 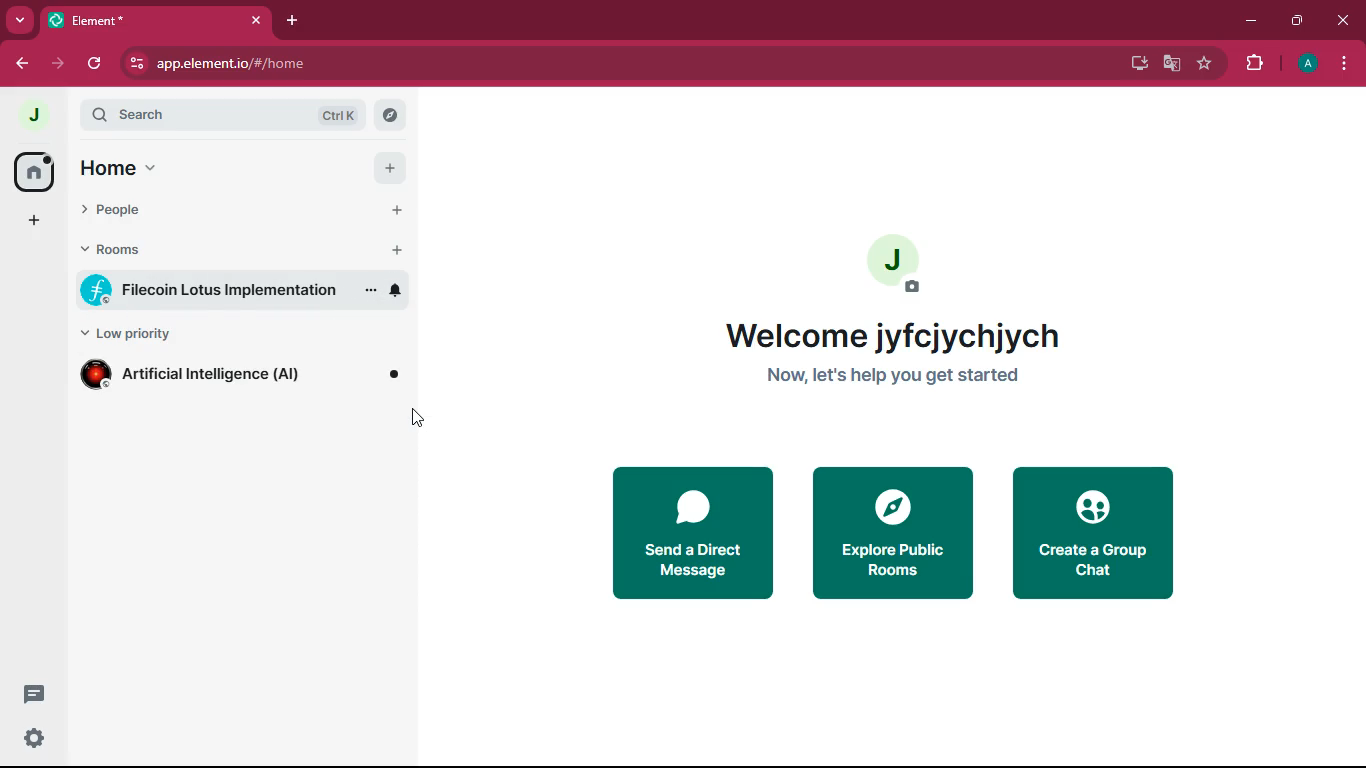 What do you see at coordinates (157, 21) in the screenshot?
I see `tab` at bounding box center [157, 21].